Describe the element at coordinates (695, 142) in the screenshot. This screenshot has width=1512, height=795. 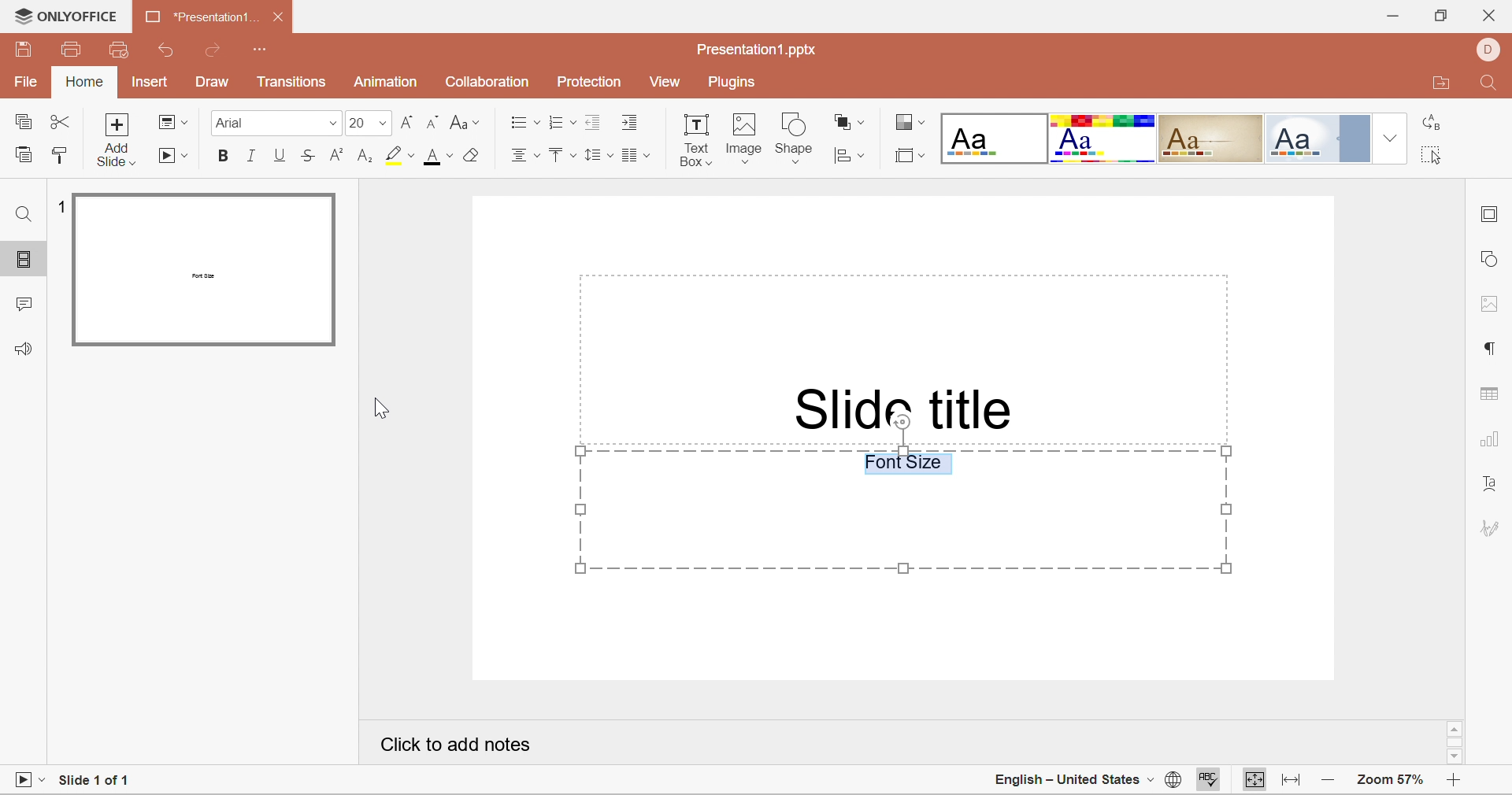
I see `Text Box` at that location.